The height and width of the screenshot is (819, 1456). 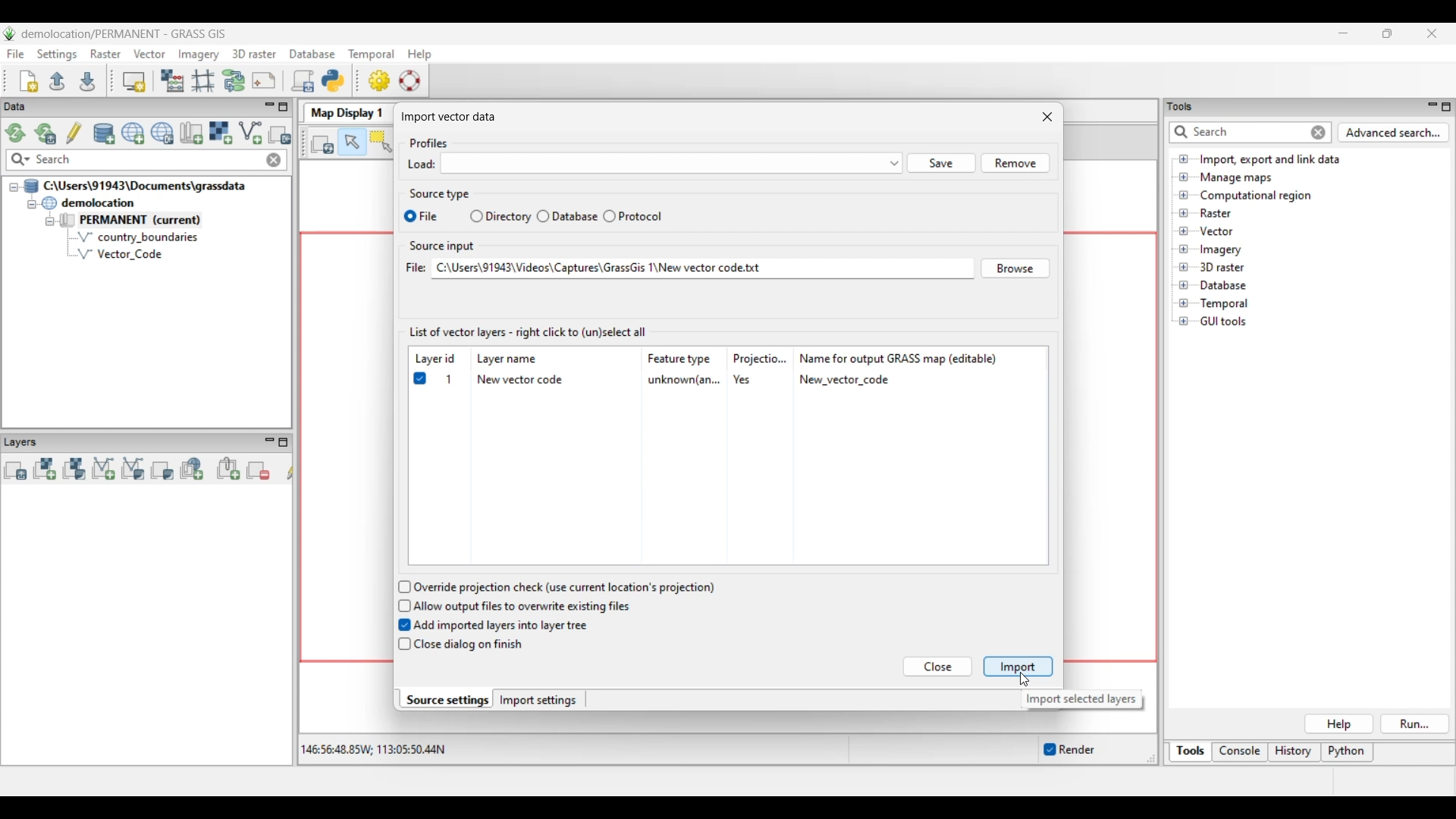 What do you see at coordinates (899, 358) in the screenshot?
I see `Name for output GRASS map (editable)` at bounding box center [899, 358].